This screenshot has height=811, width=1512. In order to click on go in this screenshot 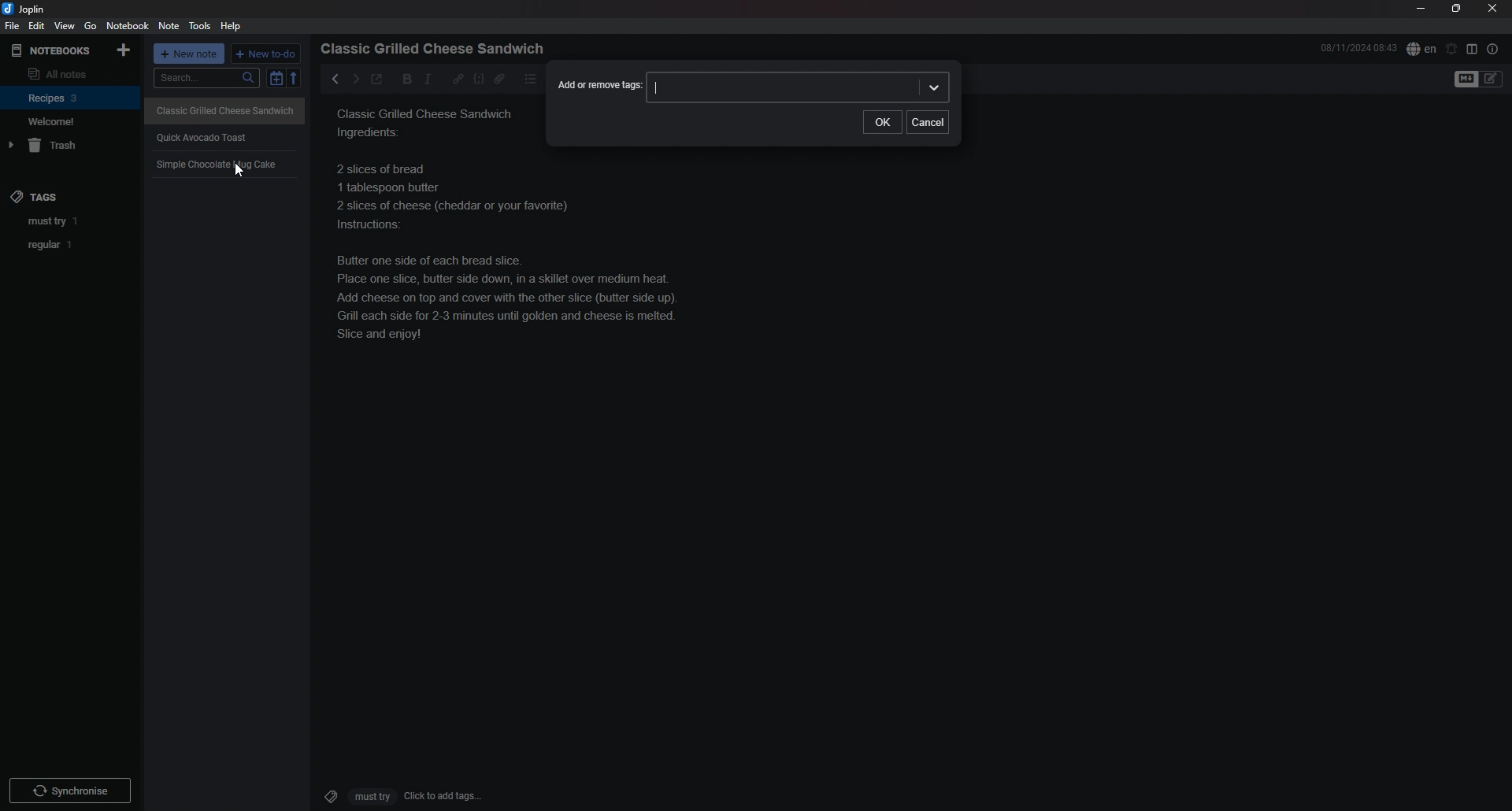, I will do `click(91, 25)`.